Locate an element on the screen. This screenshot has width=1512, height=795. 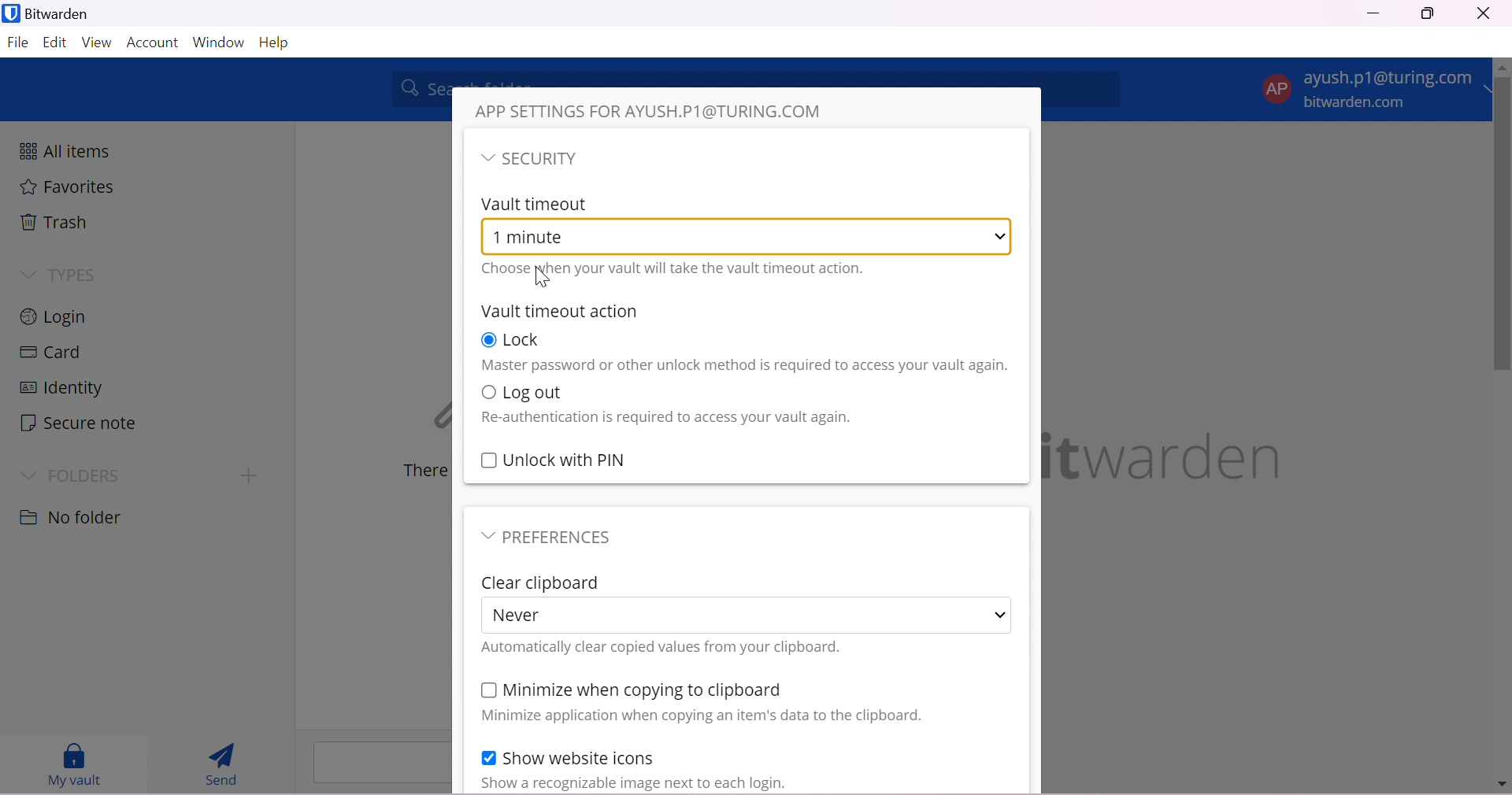
Help is located at coordinates (280, 44).